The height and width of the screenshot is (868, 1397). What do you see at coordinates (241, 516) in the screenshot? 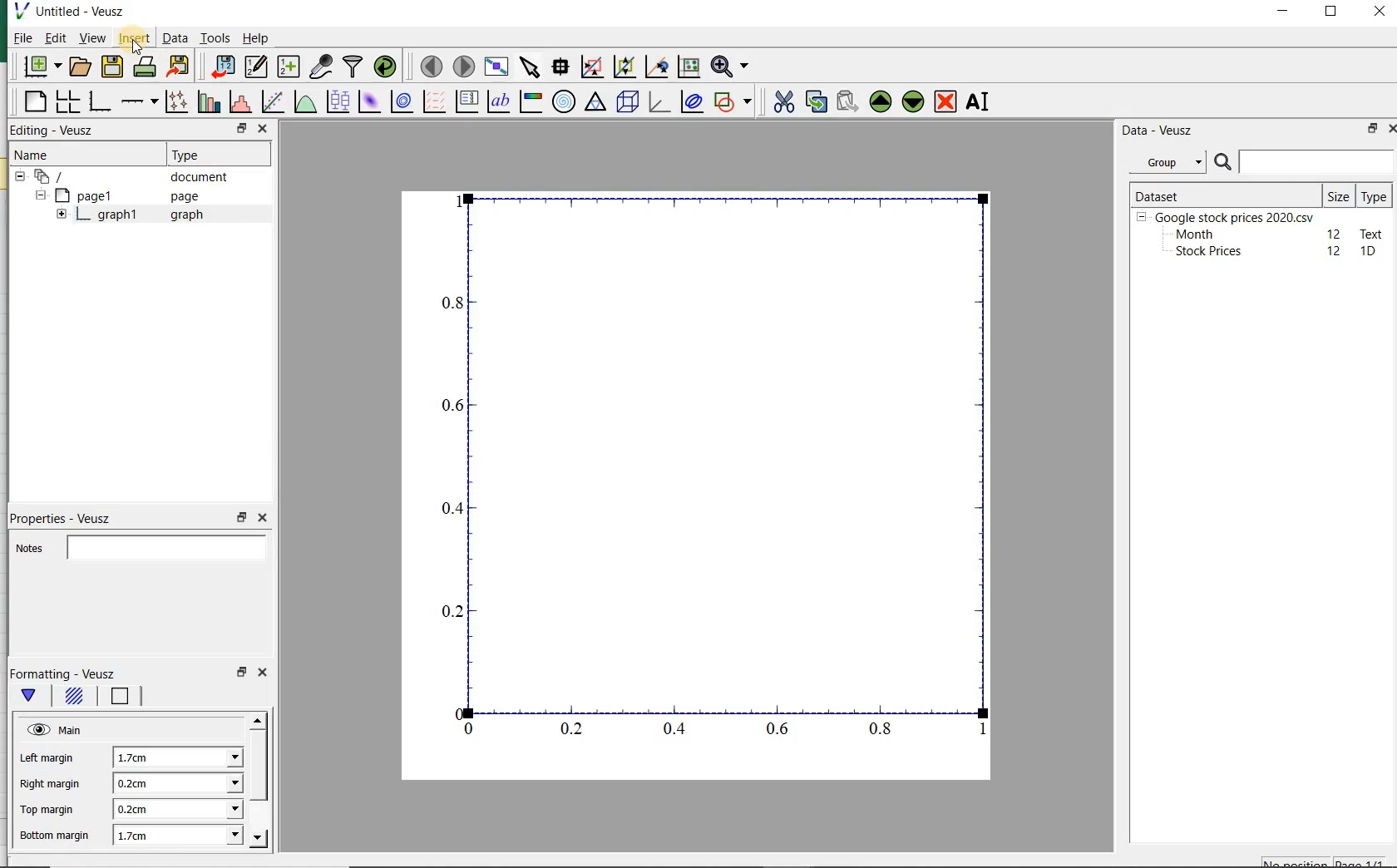
I see `restore` at bounding box center [241, 516].